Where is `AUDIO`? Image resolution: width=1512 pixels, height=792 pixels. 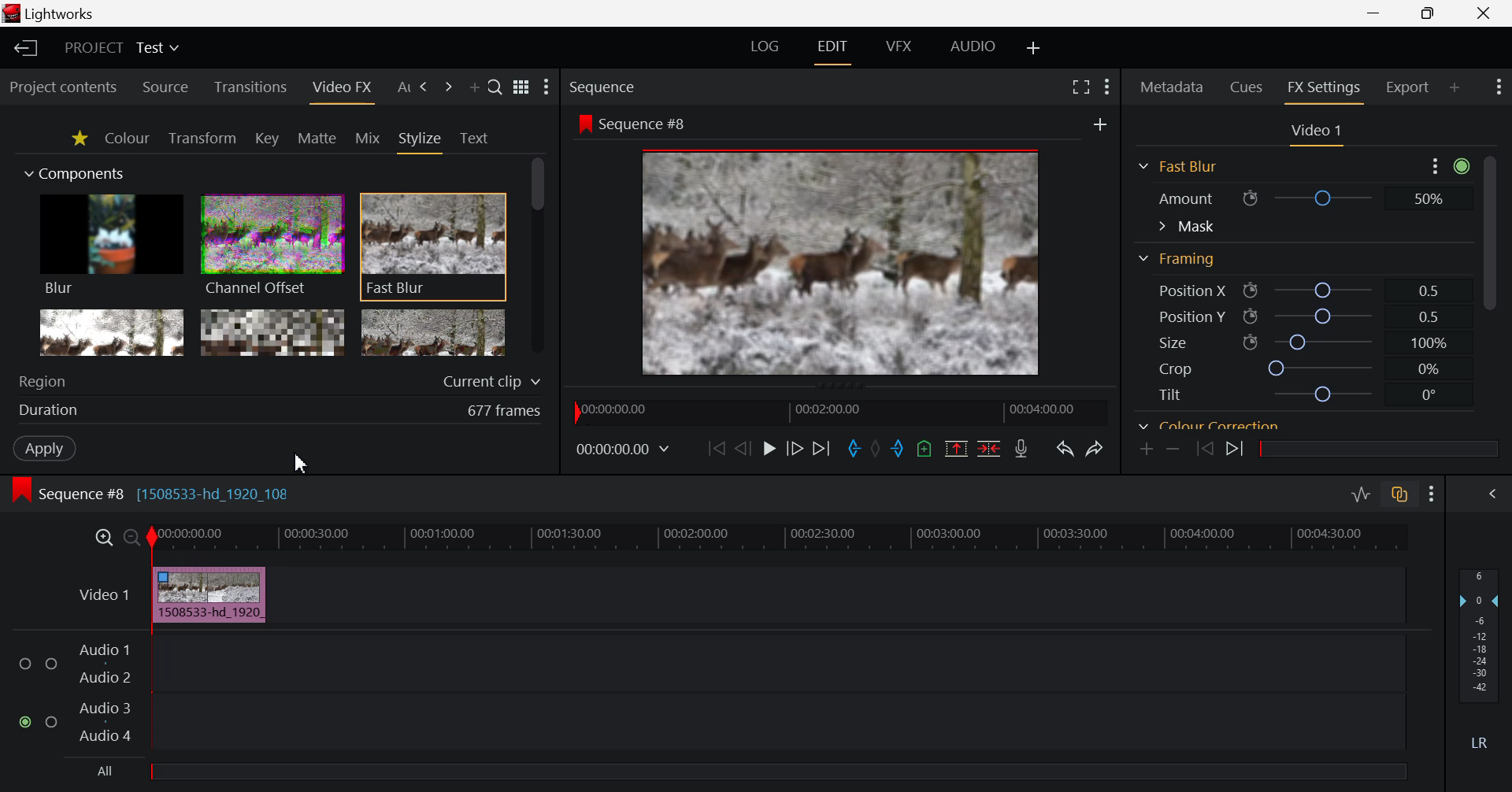 AUDIO is located at coordinates (973, 50).